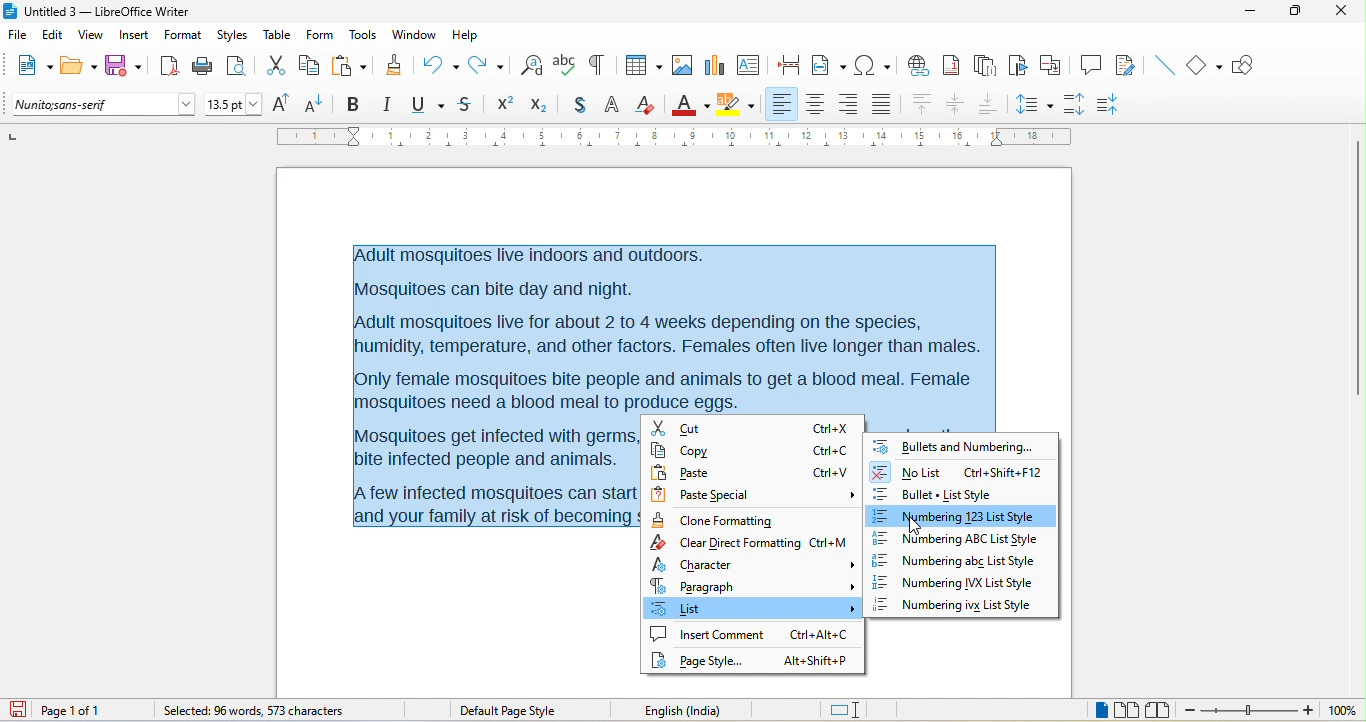 The height and width of the screenshot is (722, 1366). I want to click on book view, so click(1157, 709).